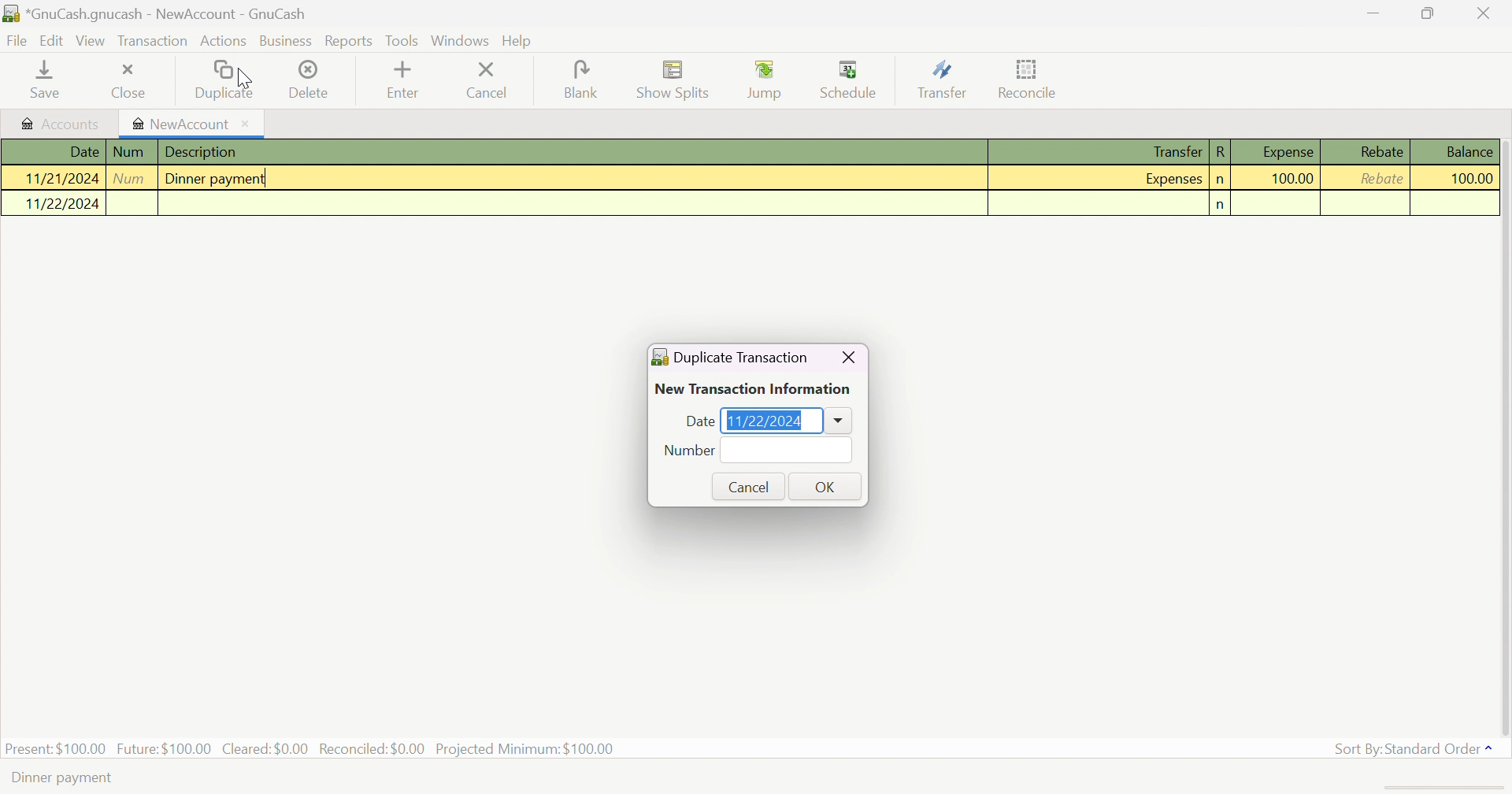 This screenshot has height=794, width=1512. Describe the element at coordinates (223, 80) in the screenshot. I see `Duplicate` at that location.